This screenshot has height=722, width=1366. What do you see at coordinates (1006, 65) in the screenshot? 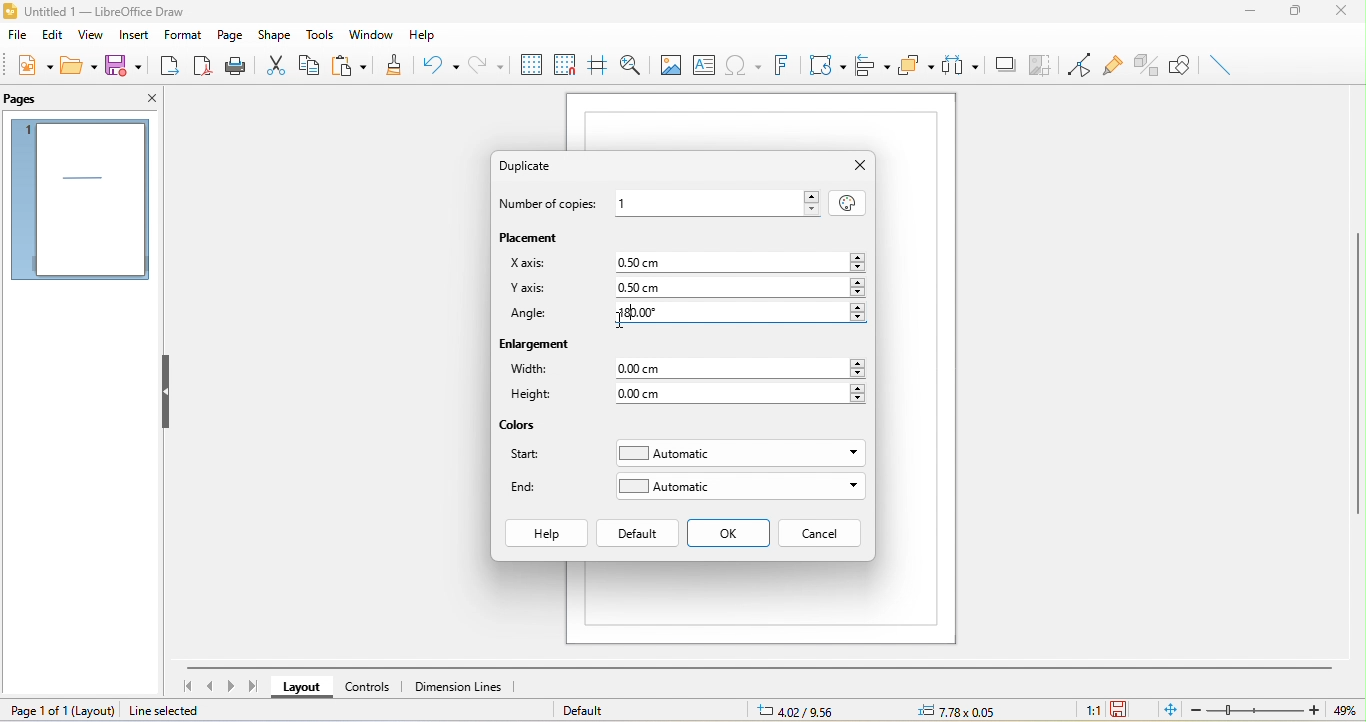
I see `shadow` at bounding box center [1006, 65].